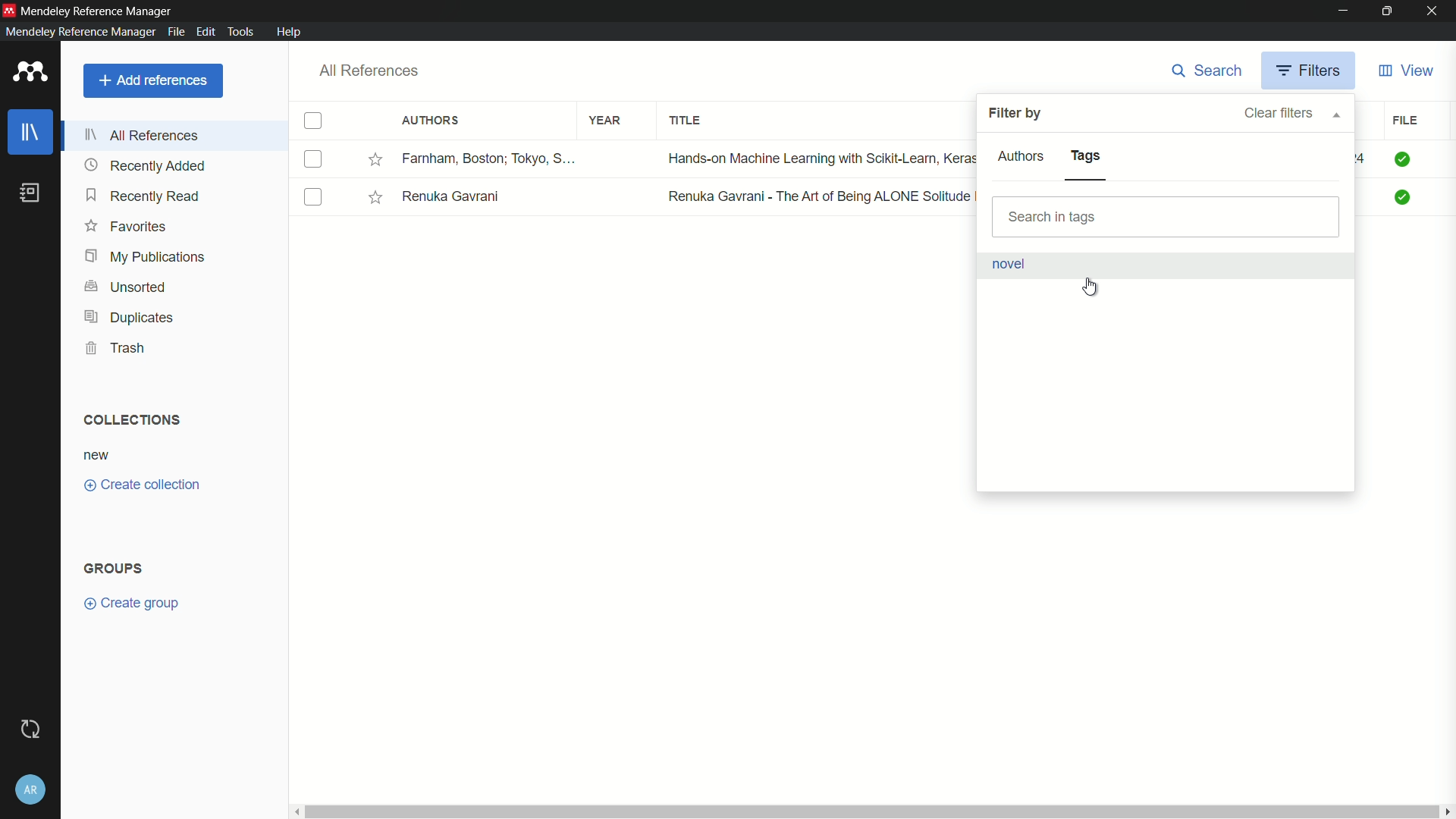 This screenshot has height=819, width=1456. Describe the element at coordinates (153, 80) in the screenshot. I see `add references` at that location.